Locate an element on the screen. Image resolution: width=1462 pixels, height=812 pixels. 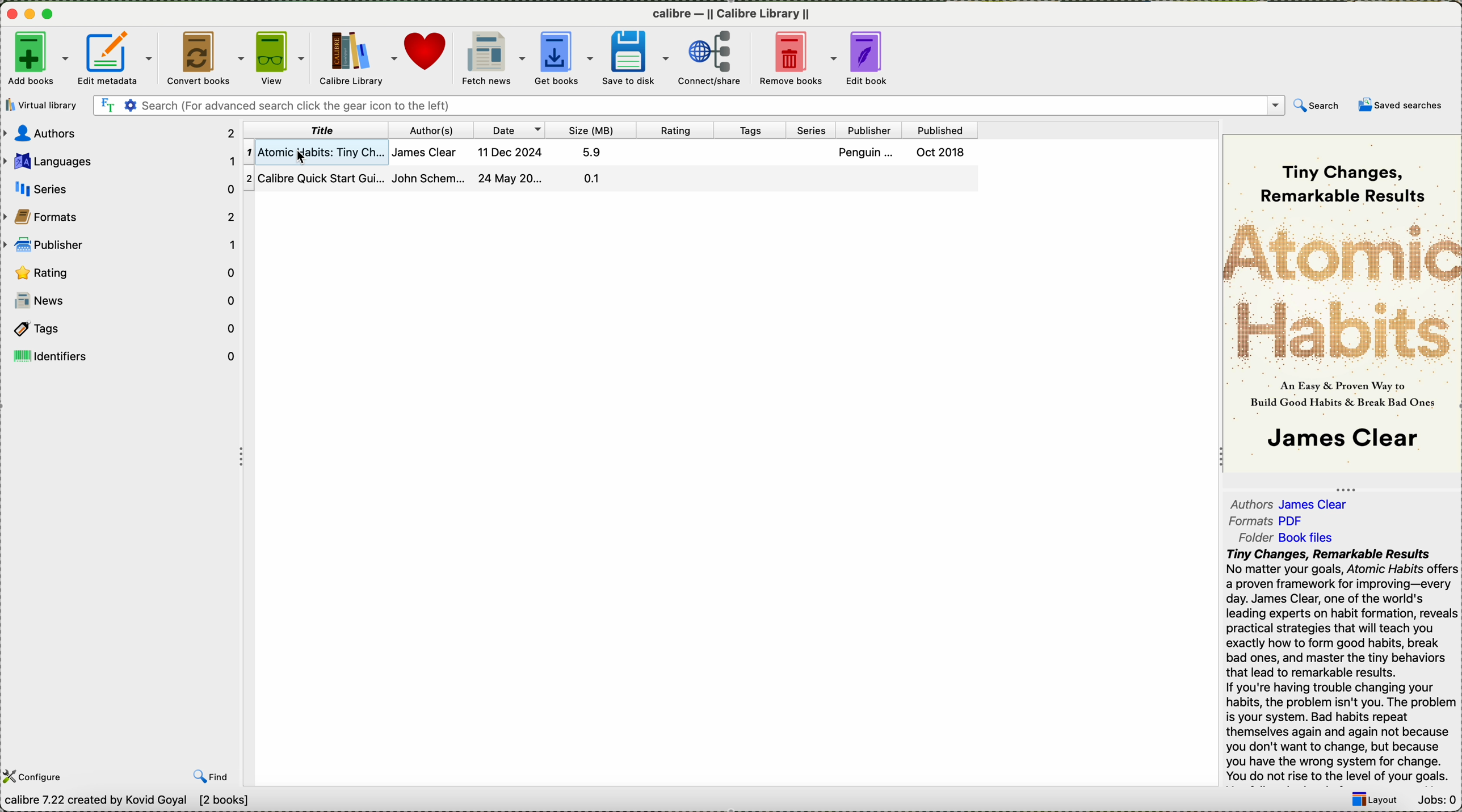
author(s) is located at coordinates (430, 131).